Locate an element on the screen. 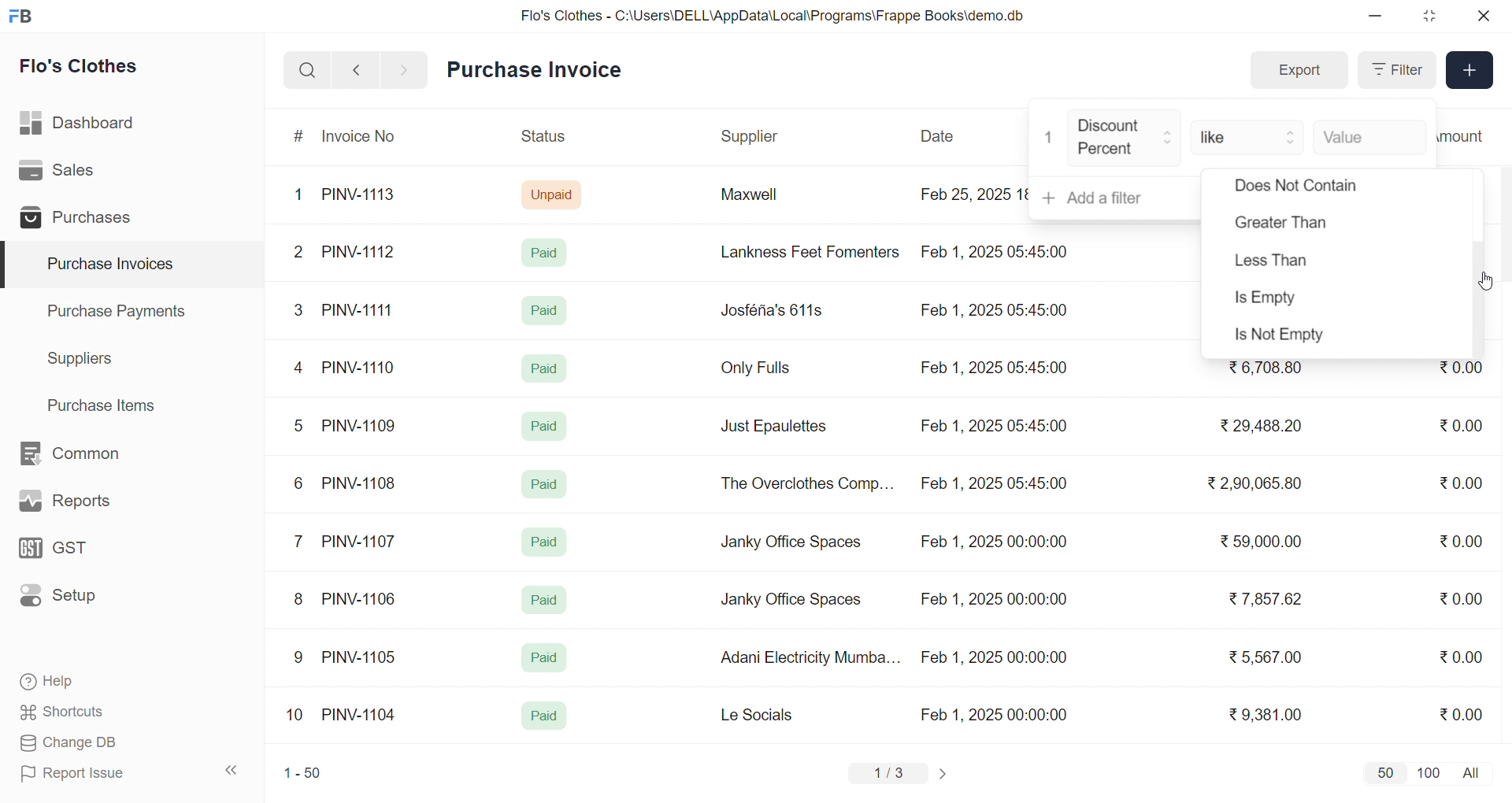 The width and height of the screenshot is (1512, 803). resize is located at coordinates (1429, 16).